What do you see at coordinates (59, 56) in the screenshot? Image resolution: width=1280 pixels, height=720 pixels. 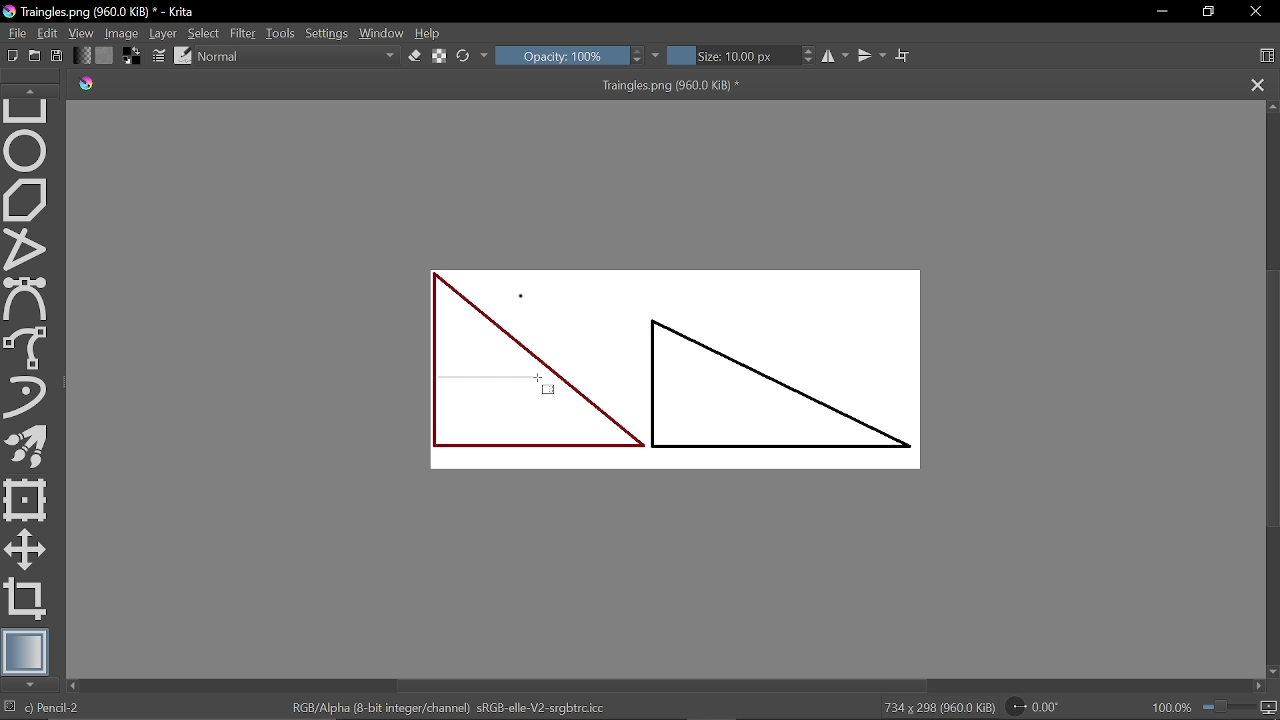 I see `Save` at bounding box center [59, 56].